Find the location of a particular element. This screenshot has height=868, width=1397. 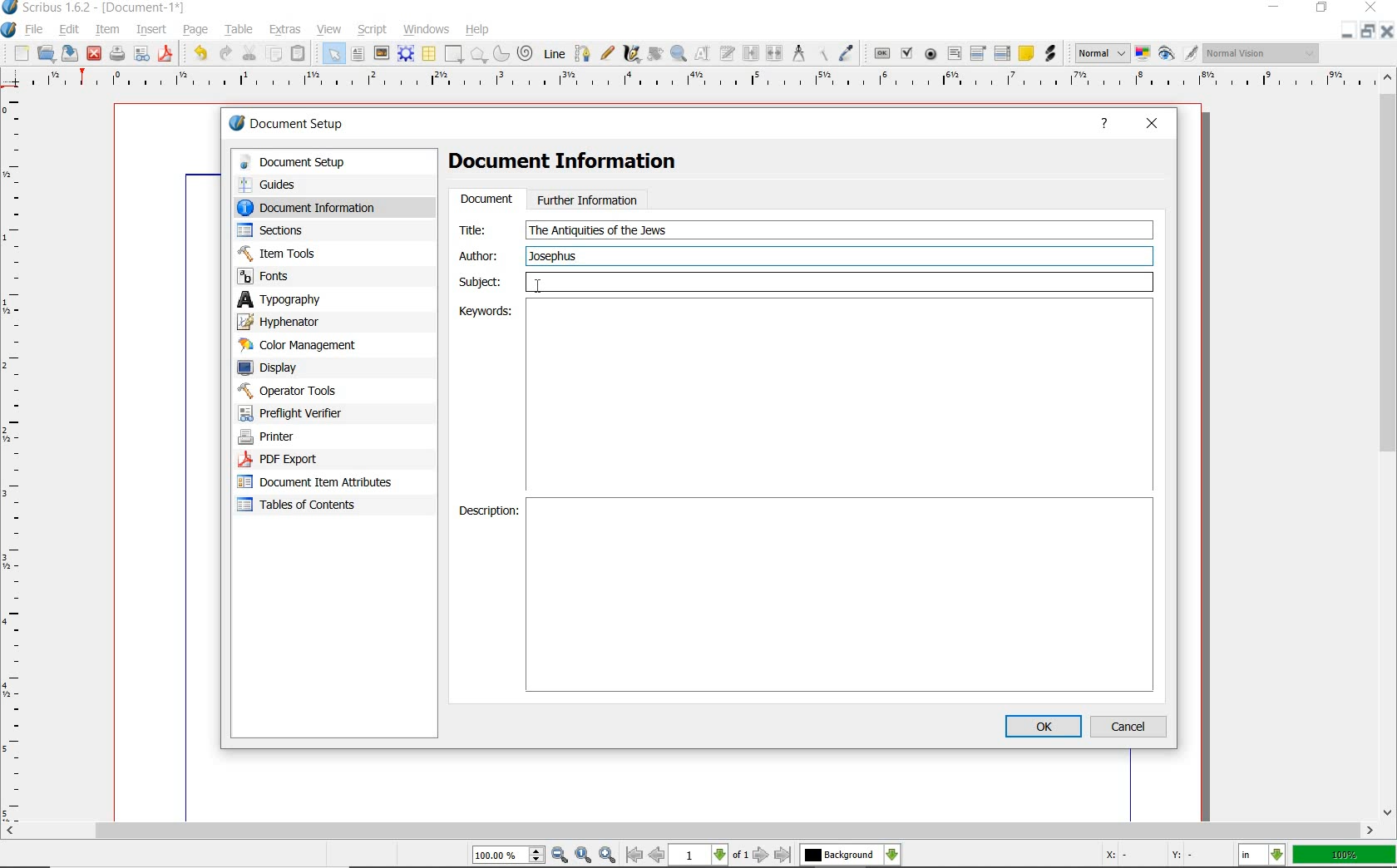

sections is located at coordinates (307, 230).